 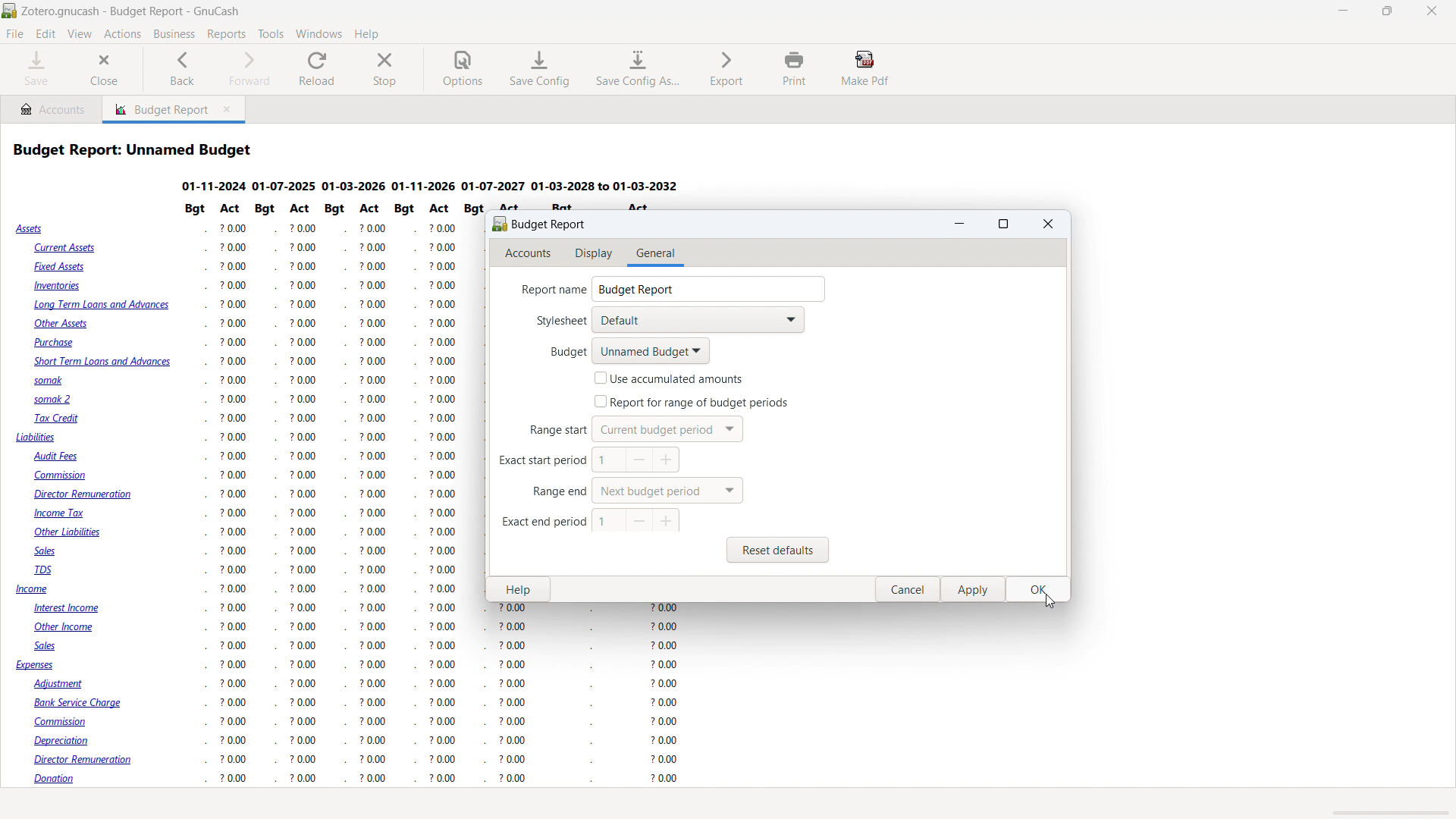 What do you see at coordinates (690, 402) in the screenshot?
I see `set to default` at bounding box center [690, 402].